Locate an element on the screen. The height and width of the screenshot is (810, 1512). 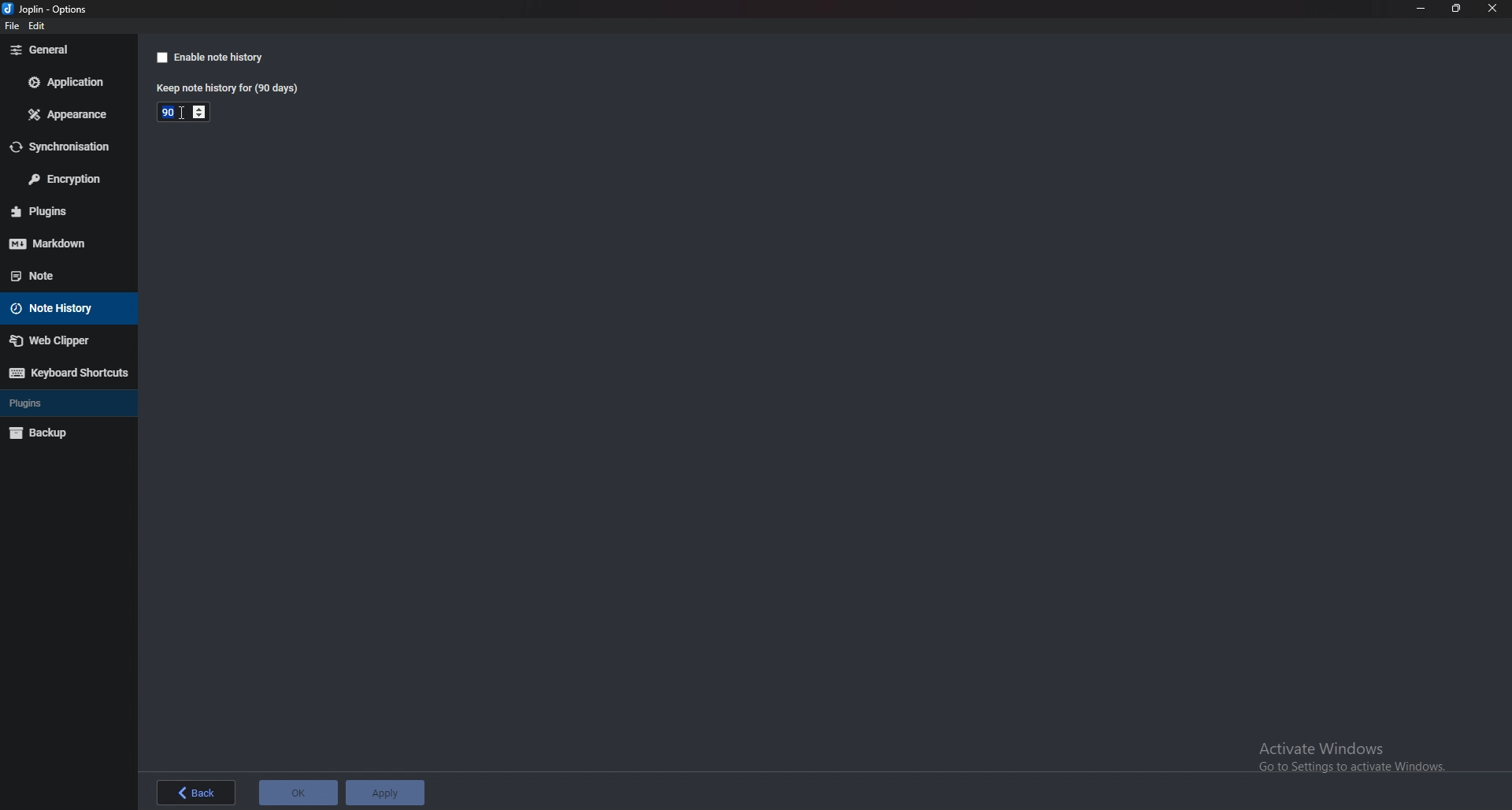
apply is located at coordinates (386, 792).